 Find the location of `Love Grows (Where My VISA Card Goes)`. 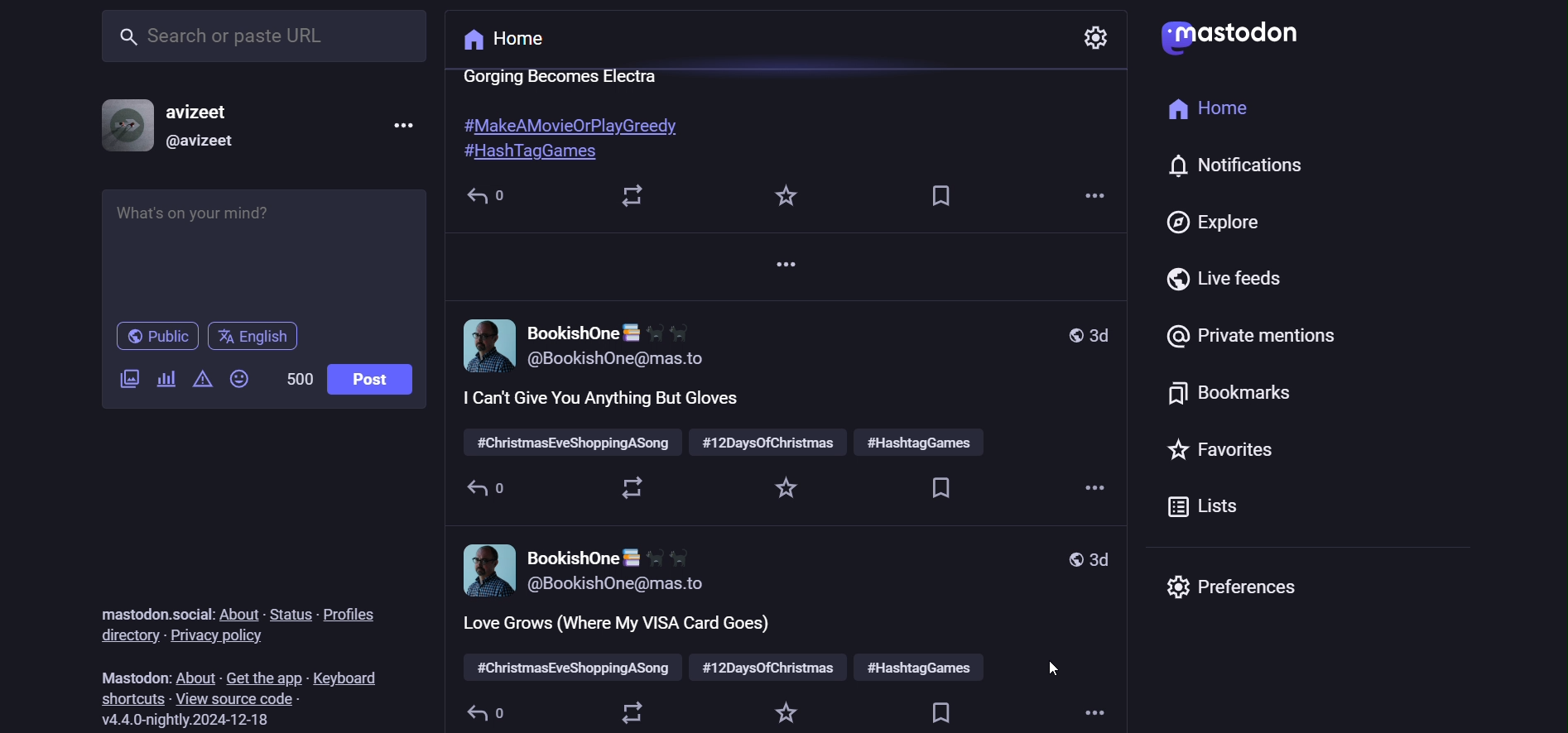

Love Grows (Where My VISA Card Goes) is located at coordinates (618, 626).